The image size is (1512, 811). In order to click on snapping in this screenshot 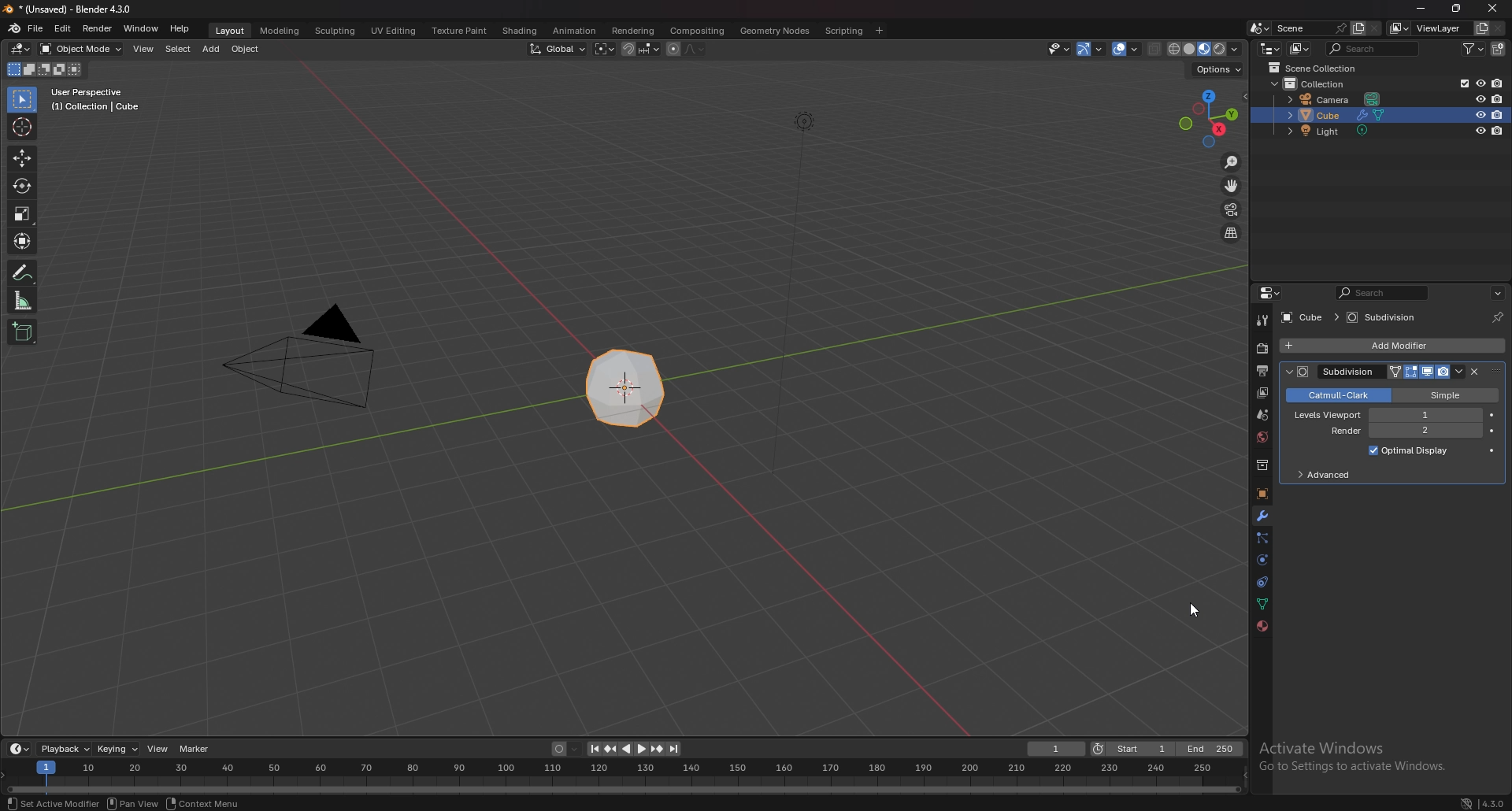, I will do `click(641, 50)`.